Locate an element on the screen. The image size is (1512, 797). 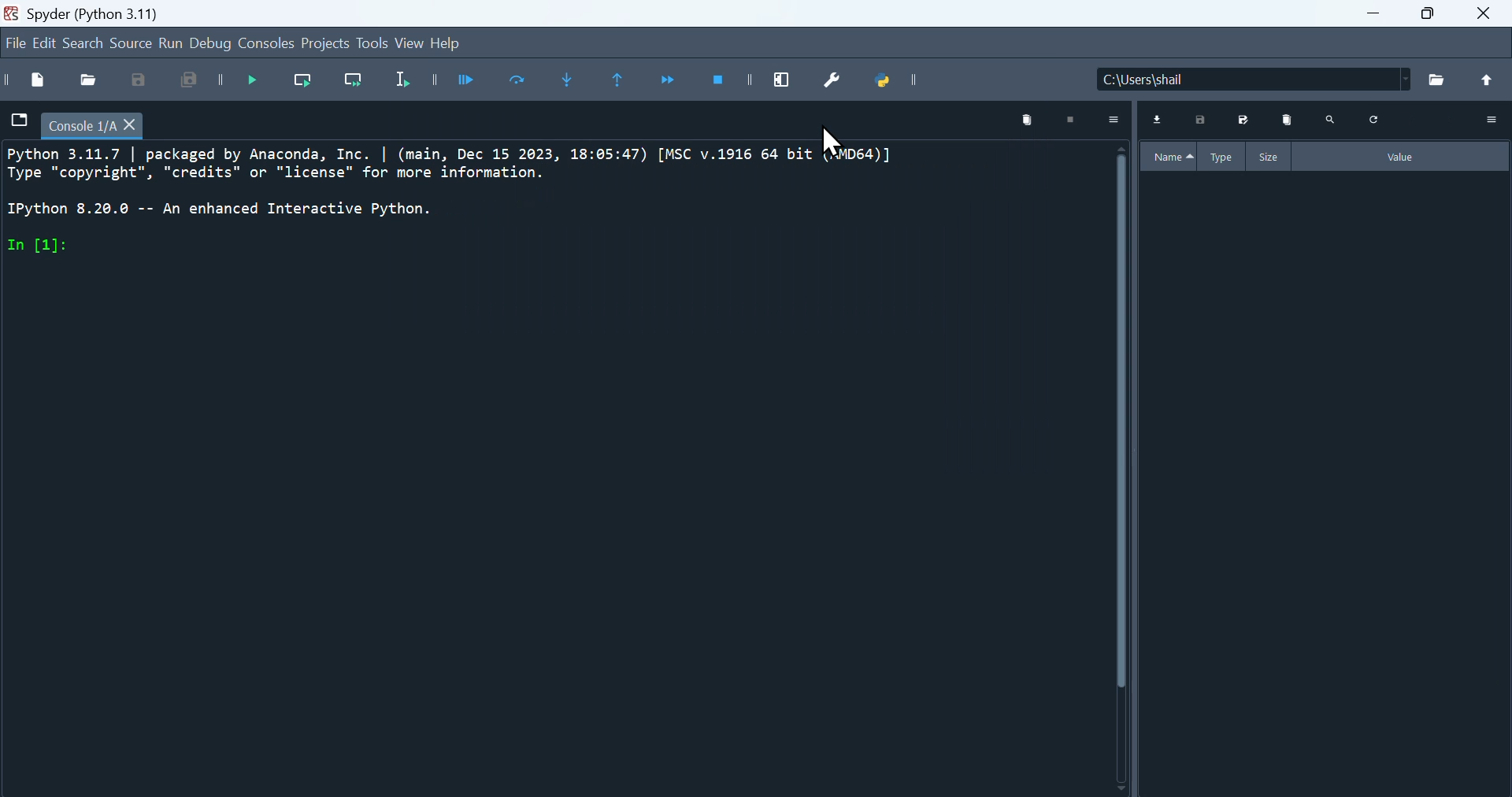
Variable explorer is located at coordinates (1329, 483).